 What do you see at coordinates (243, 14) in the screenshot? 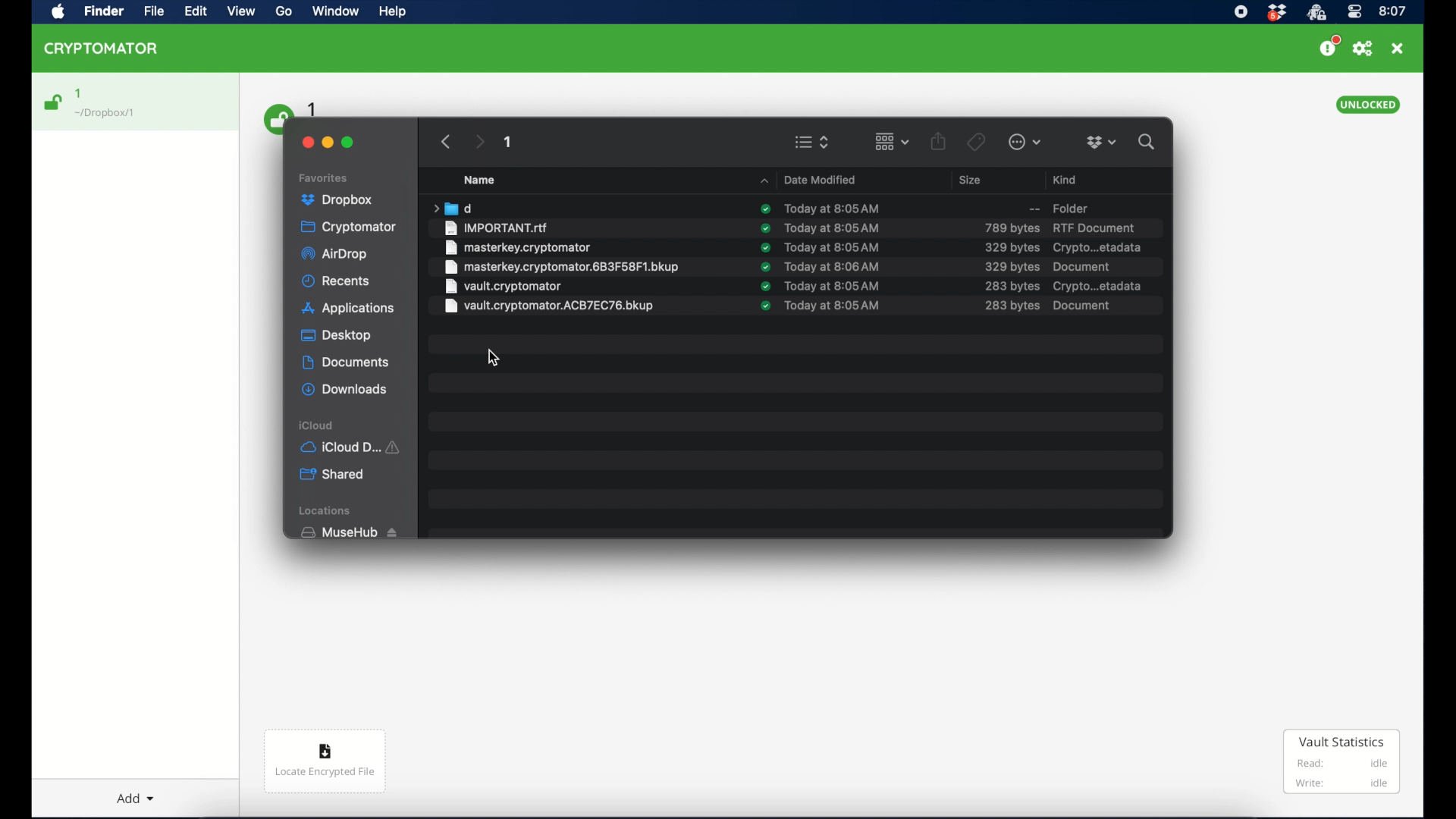
I see `View` at bounding box center [243, 14].